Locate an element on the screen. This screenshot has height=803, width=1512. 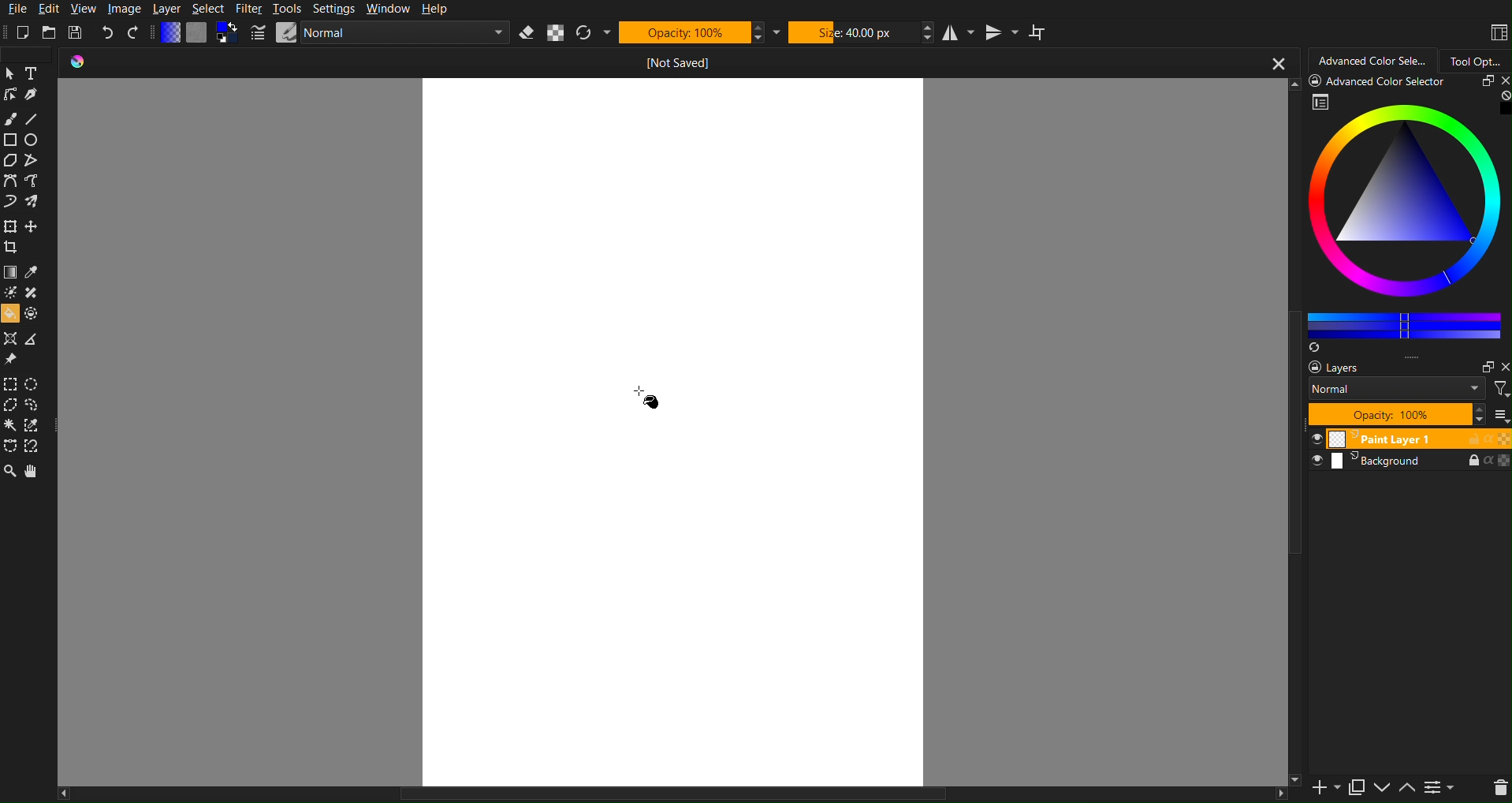
Tool Option Selector is located at coordinates (1482, 58).